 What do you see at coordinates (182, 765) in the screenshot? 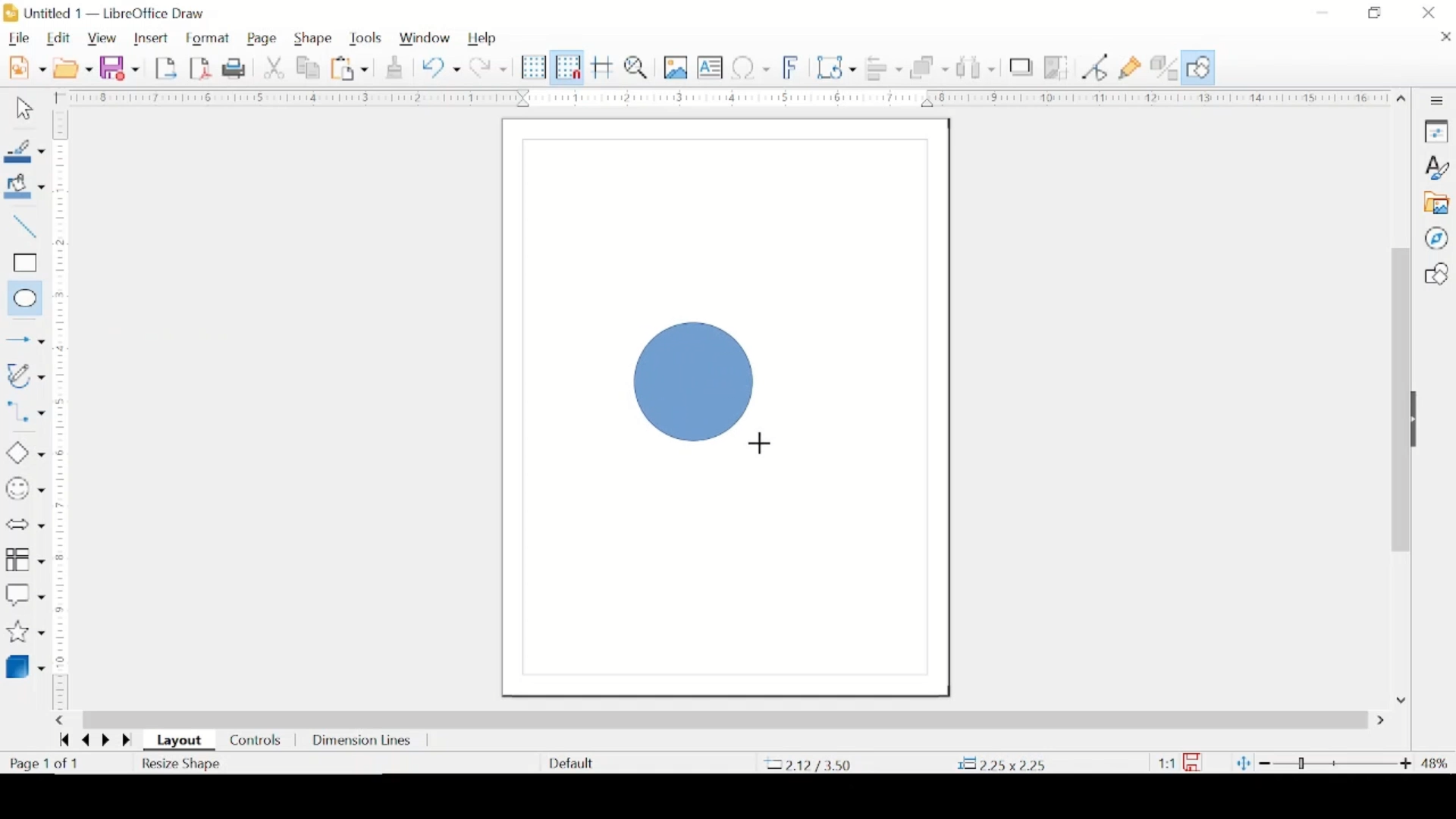
I see `resize shape` at bounding box center [182, 765].